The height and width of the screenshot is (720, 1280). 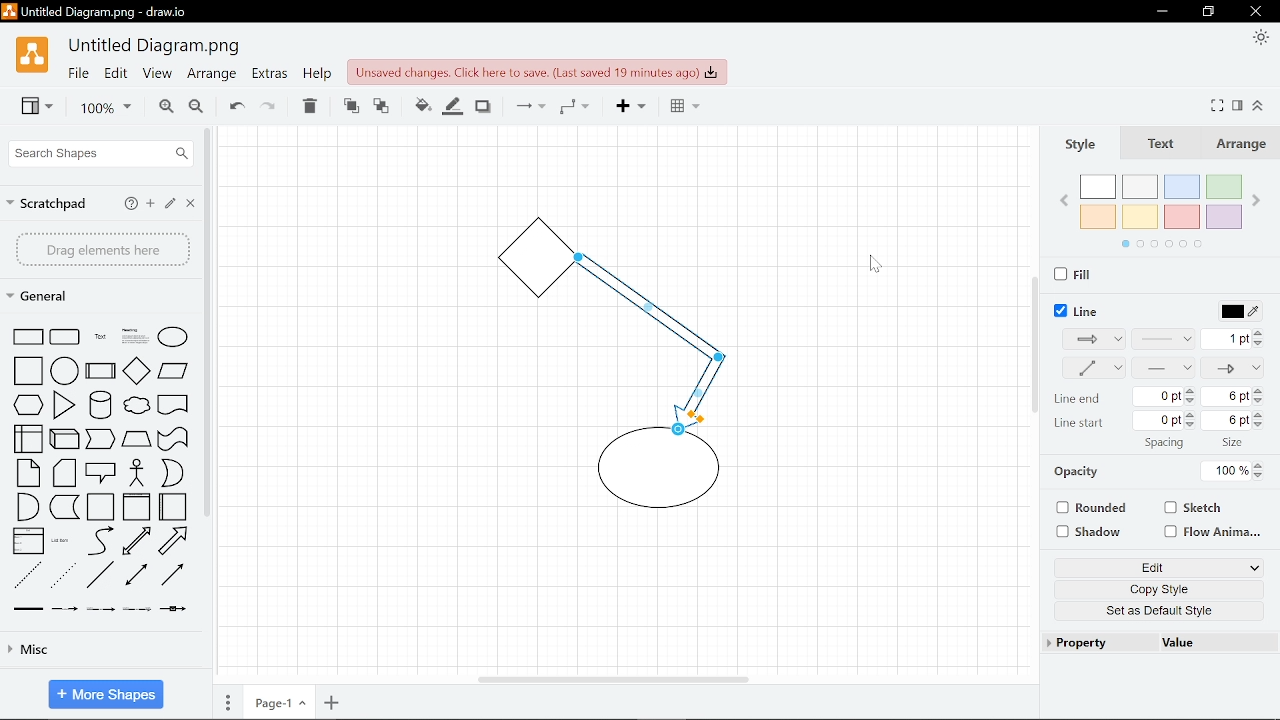 What do you see at coordinates (99, 540) in the screenshot?
I see `shape` at bounding box center [99, 540].